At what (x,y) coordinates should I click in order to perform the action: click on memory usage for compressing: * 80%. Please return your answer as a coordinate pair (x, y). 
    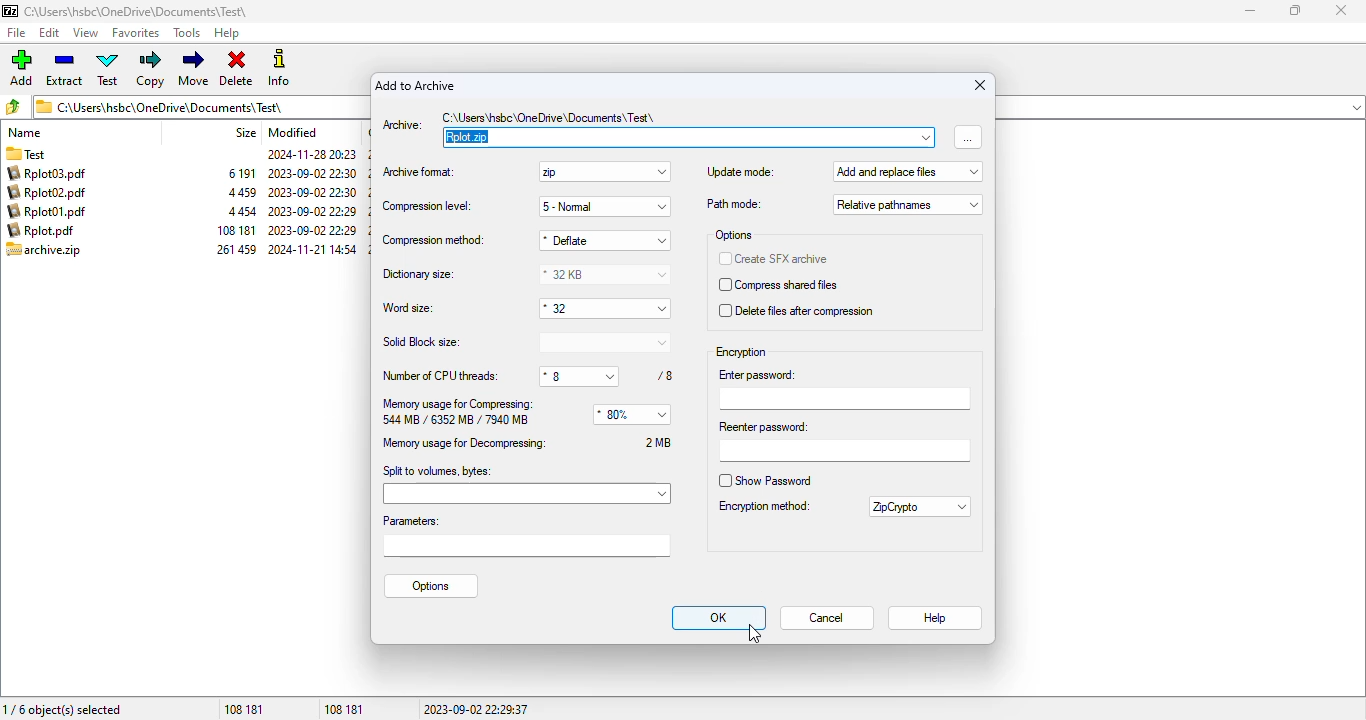
    Looking at the image, I should click on (524, 411).